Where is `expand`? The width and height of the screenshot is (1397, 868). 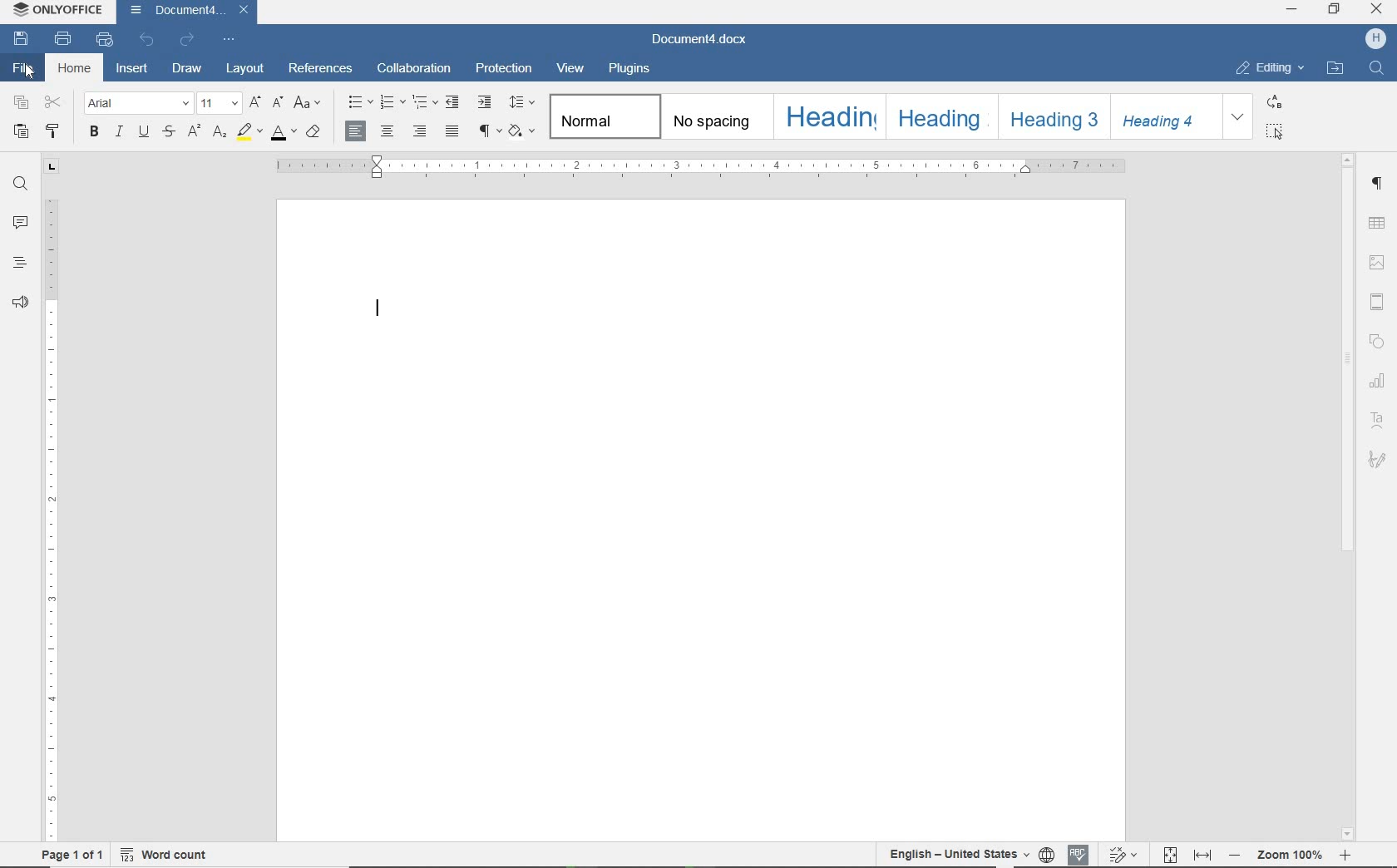 expand is located at coordinates (1238, 118).